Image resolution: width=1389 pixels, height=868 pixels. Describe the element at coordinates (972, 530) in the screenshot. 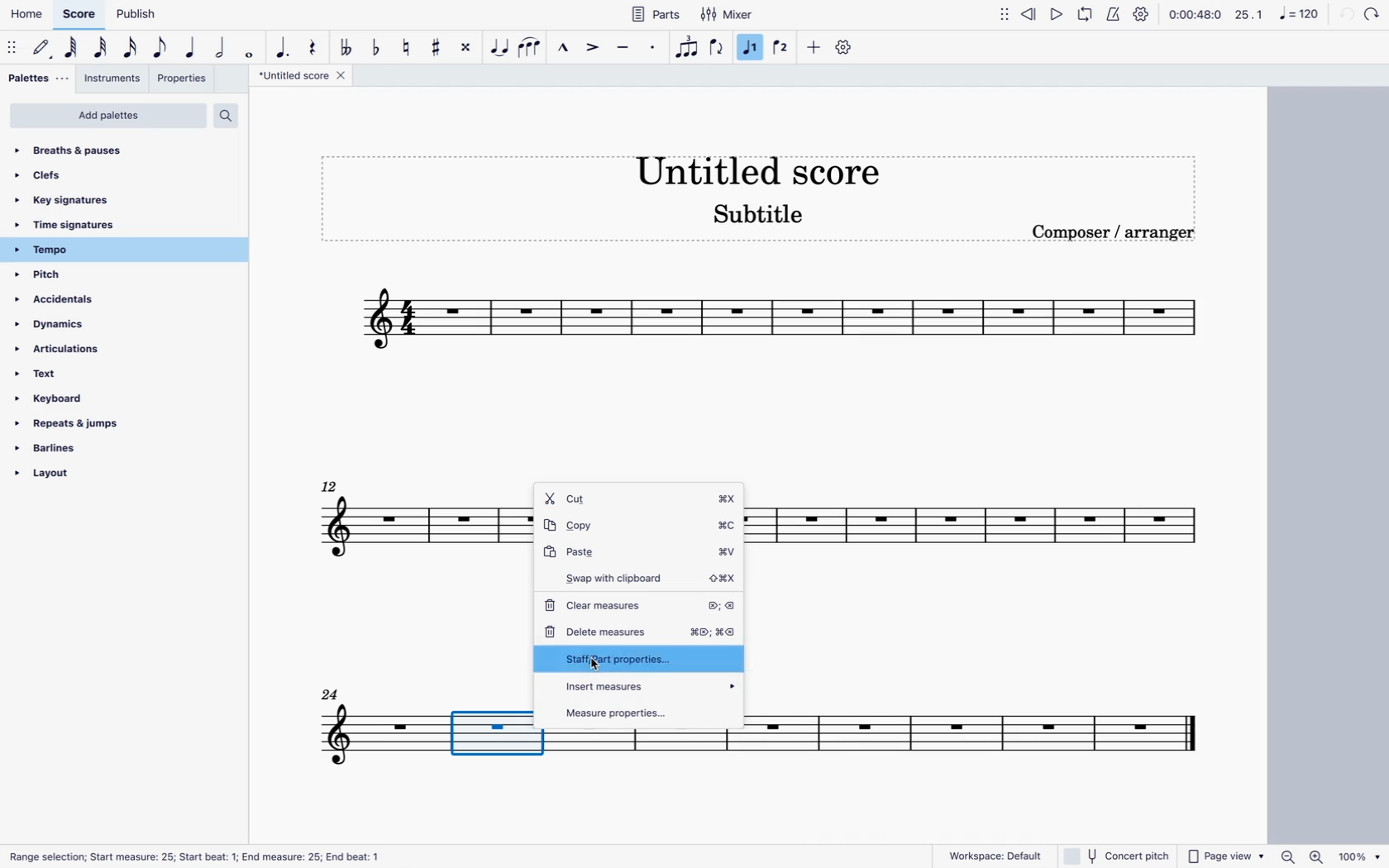

I see `score` at that location.